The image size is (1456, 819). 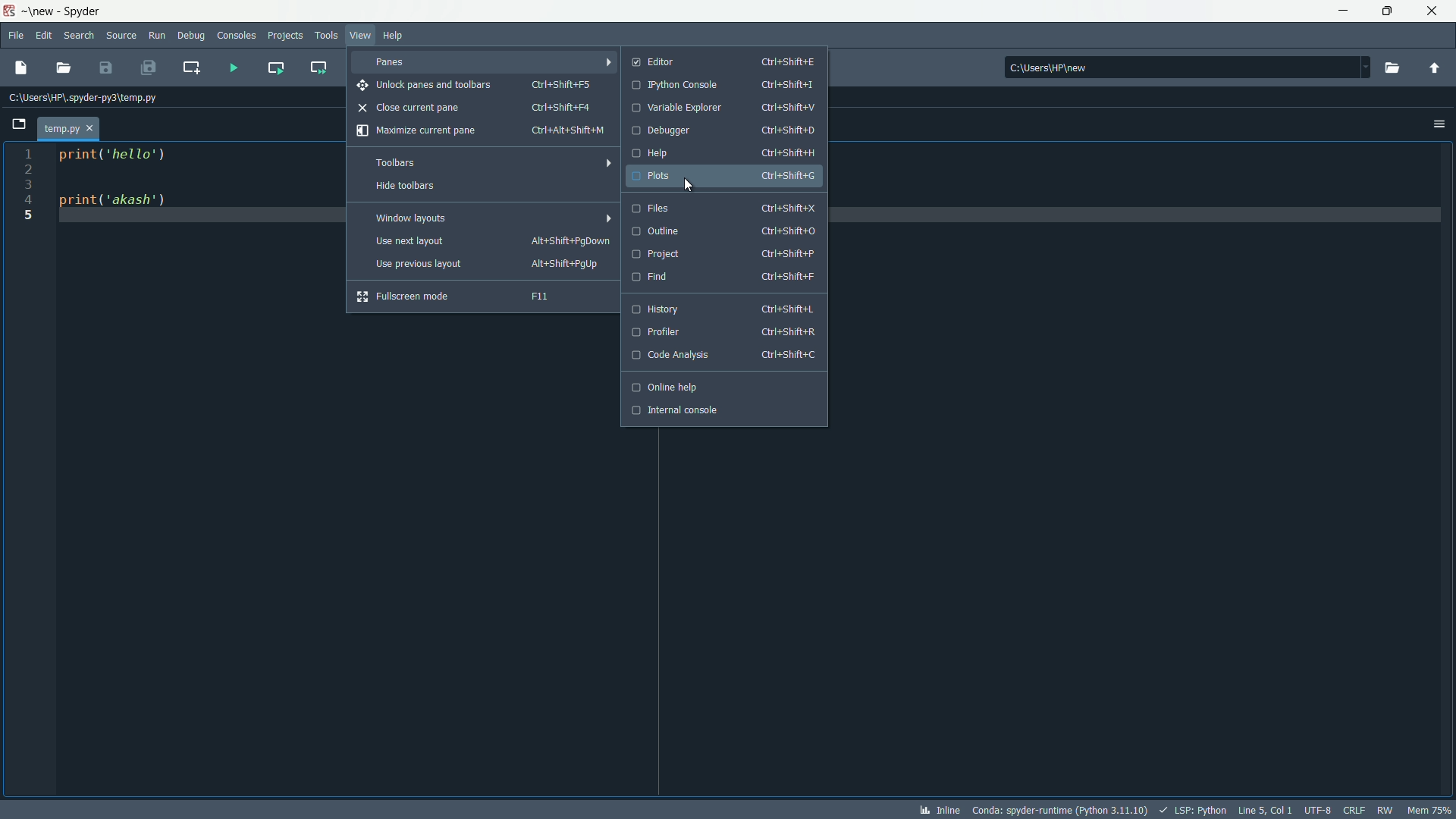 I want to click on view menu, so click(x=362, y=34).